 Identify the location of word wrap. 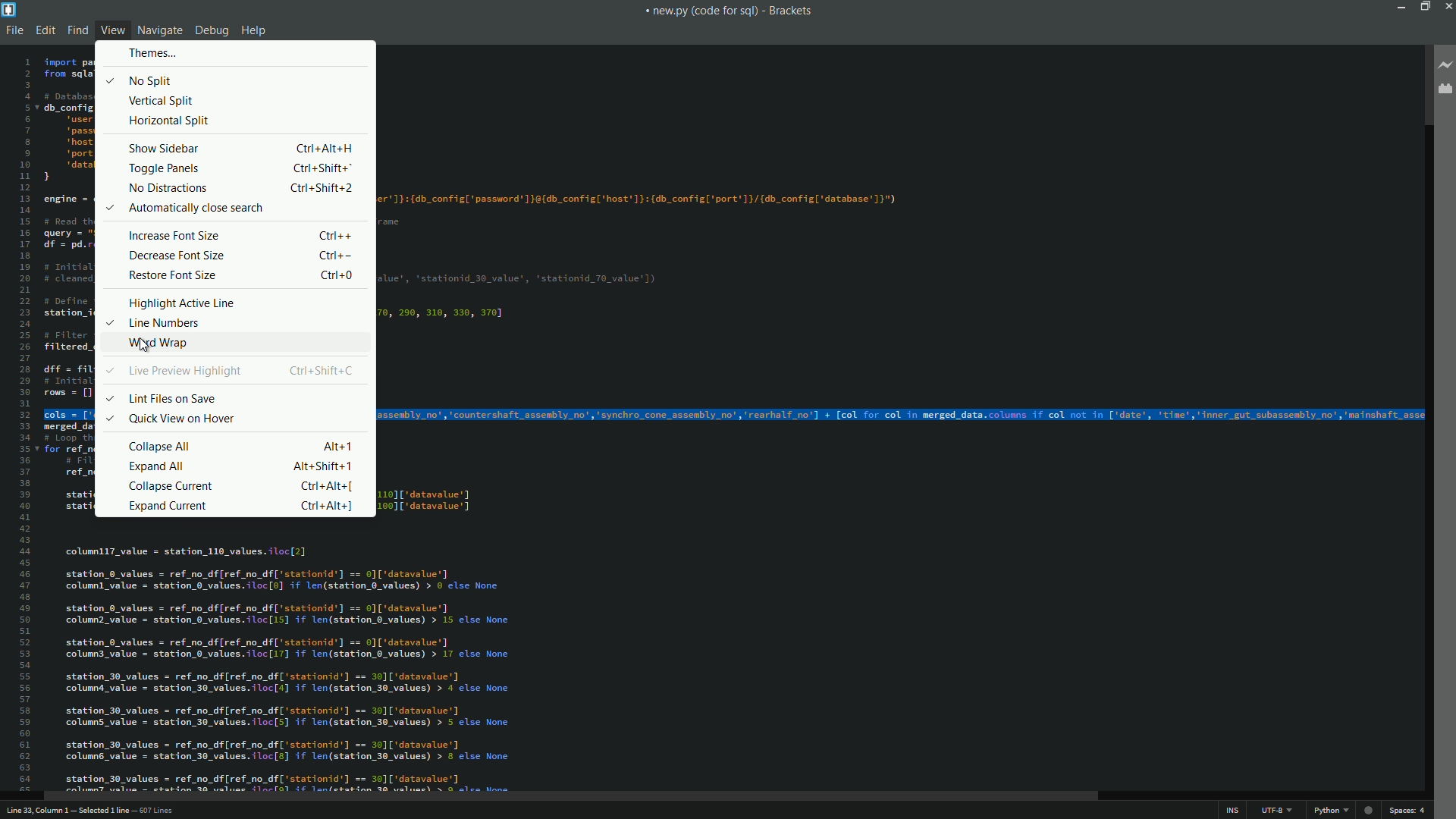
(156, 344).